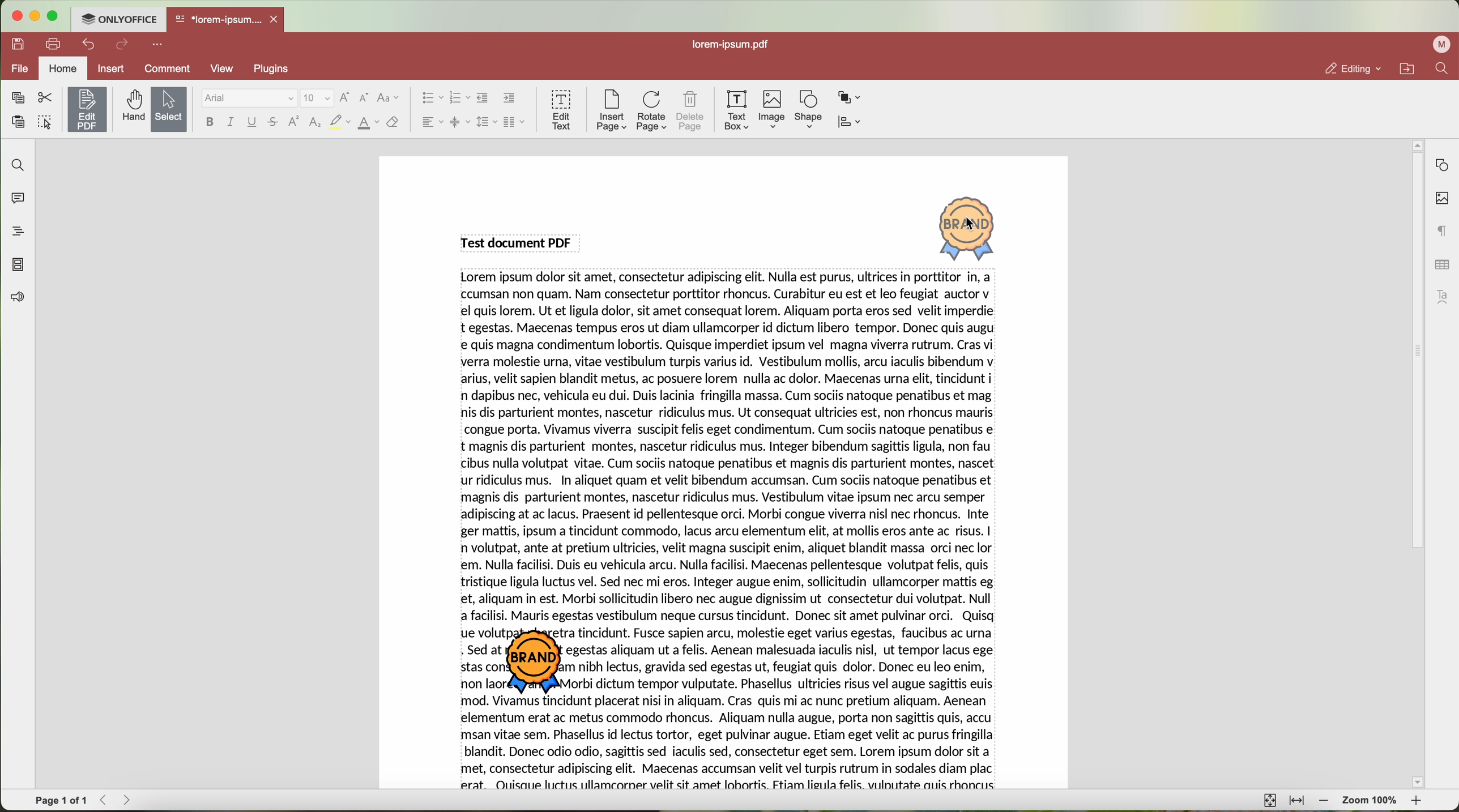  What do you see at coordinates (1324, 801) in the screenshot?
I see `zoom out` at bounding box center [1324, 801].